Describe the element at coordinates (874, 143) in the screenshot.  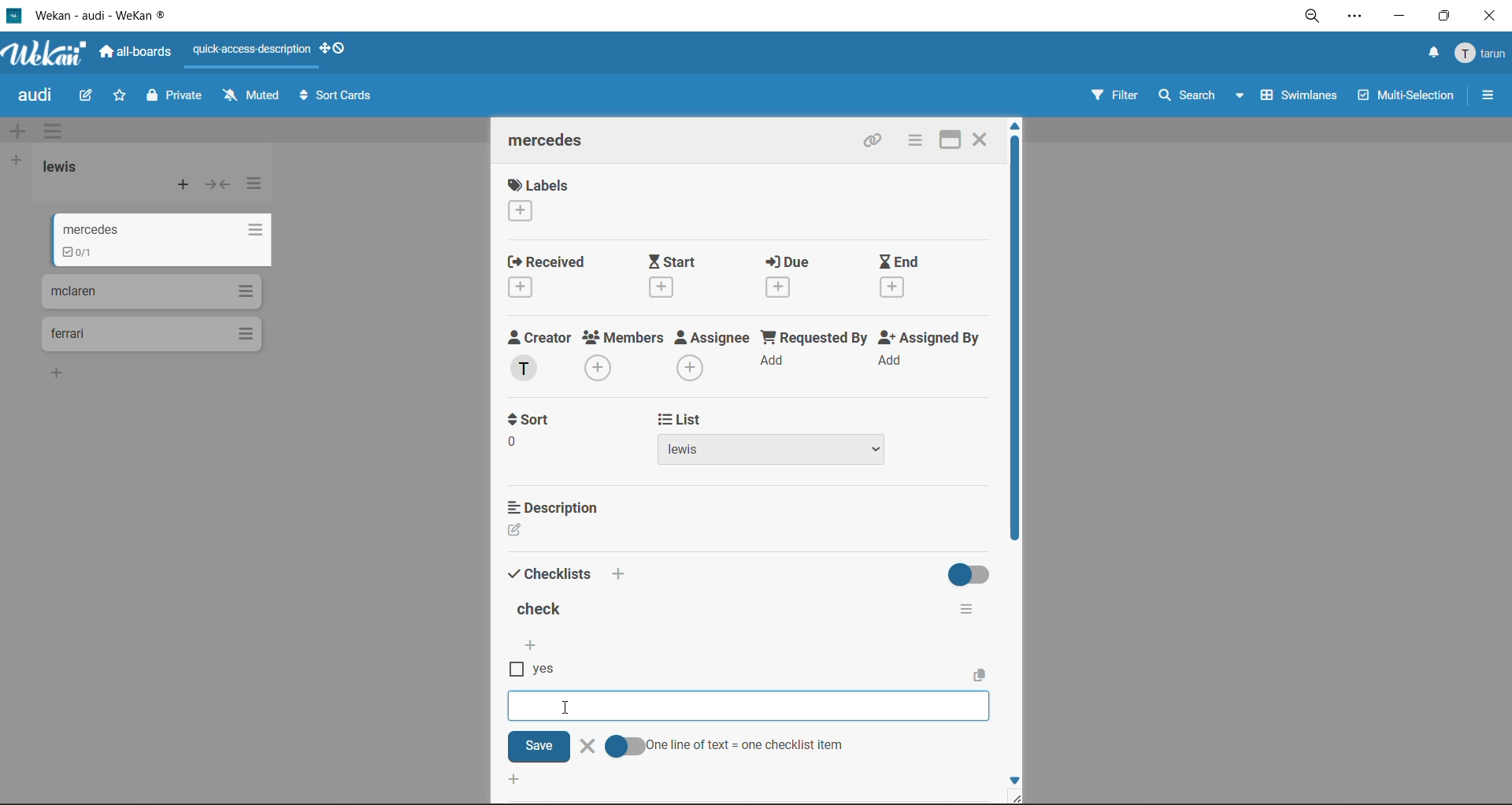
I see `copy` at that location.